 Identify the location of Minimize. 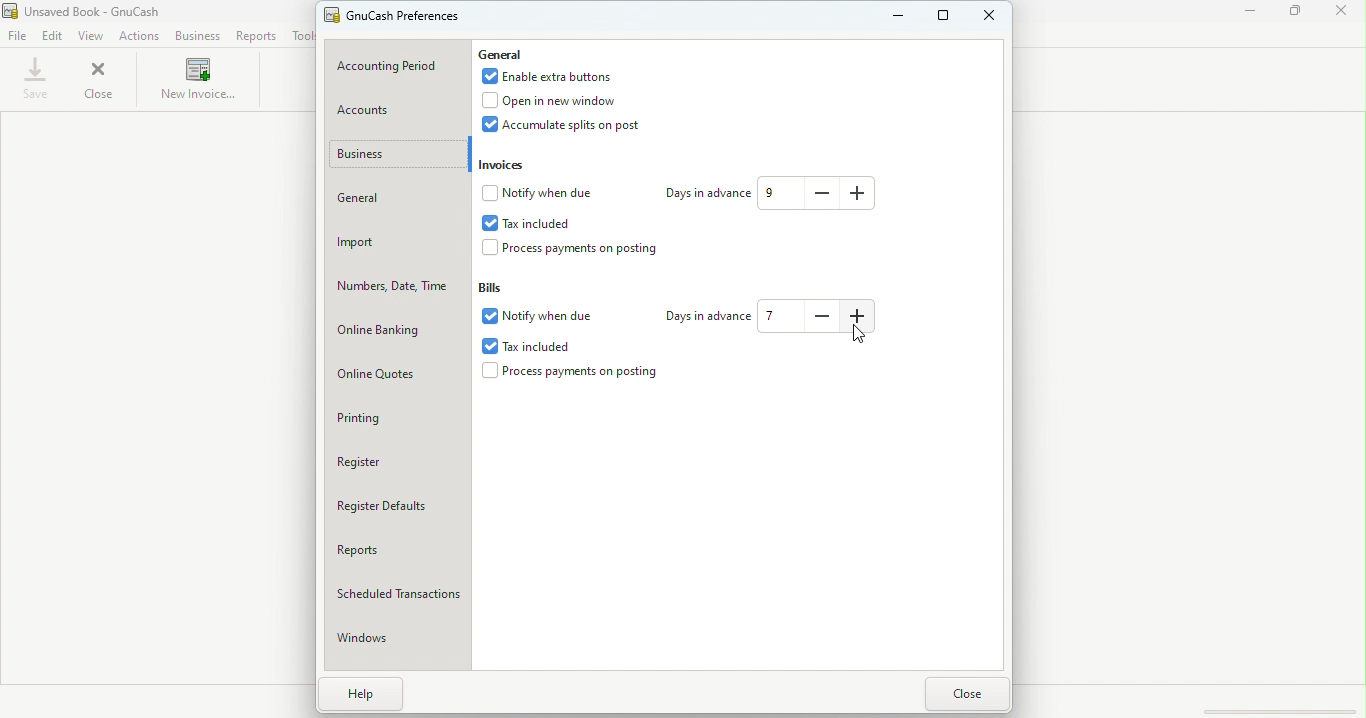
(1250, 12).